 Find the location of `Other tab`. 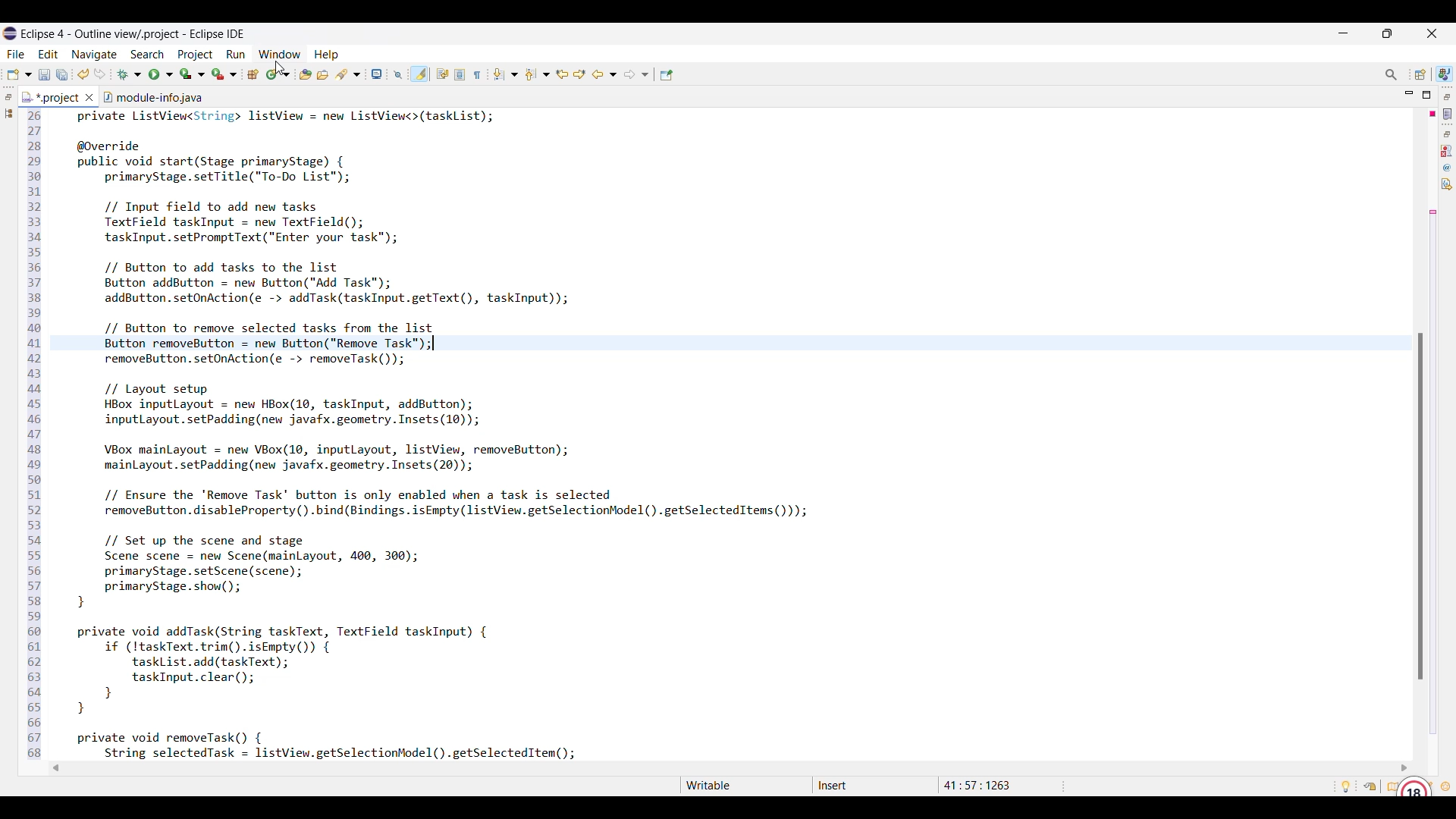

Other tab is located at coordinates (152, 96).